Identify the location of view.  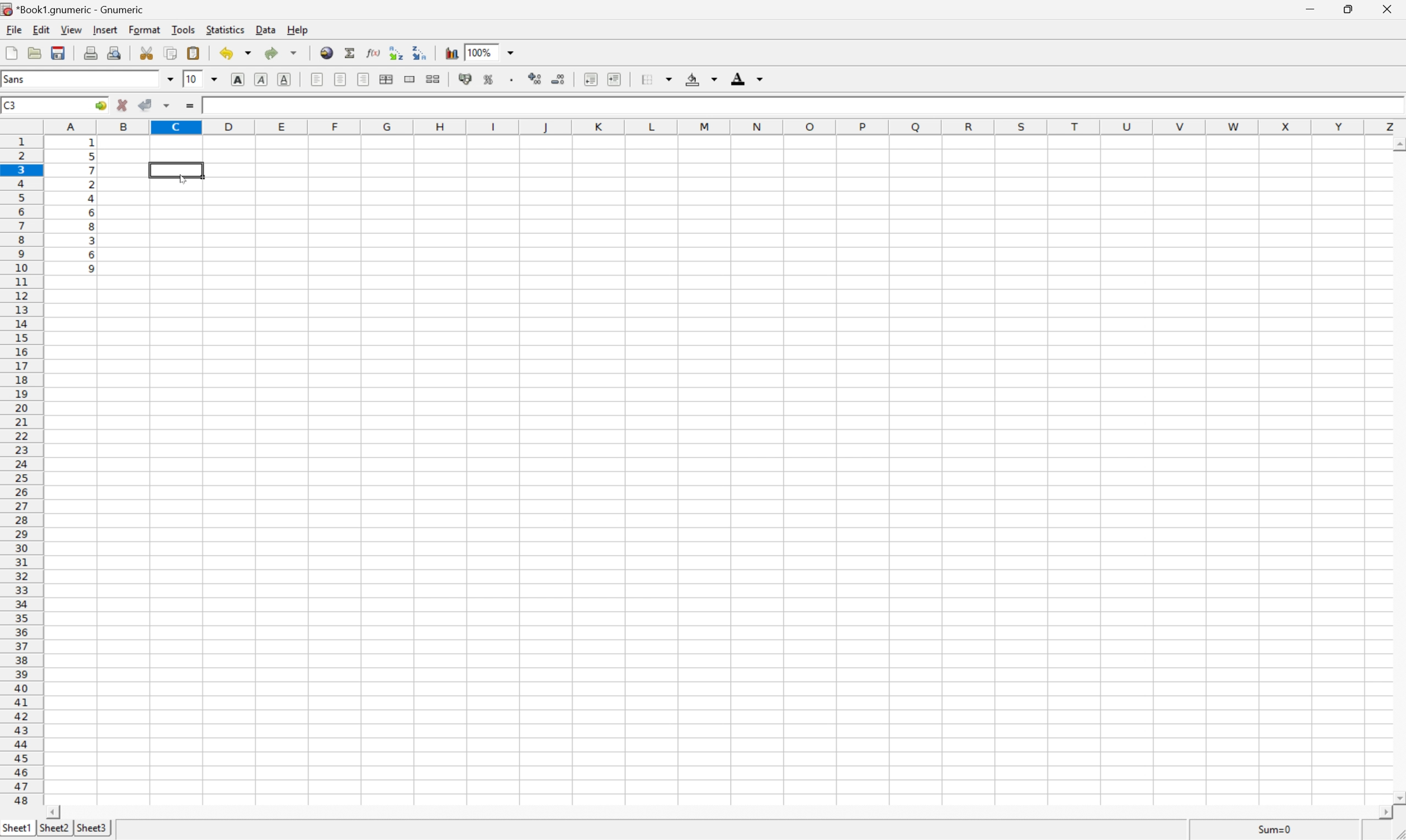
(71, 29).